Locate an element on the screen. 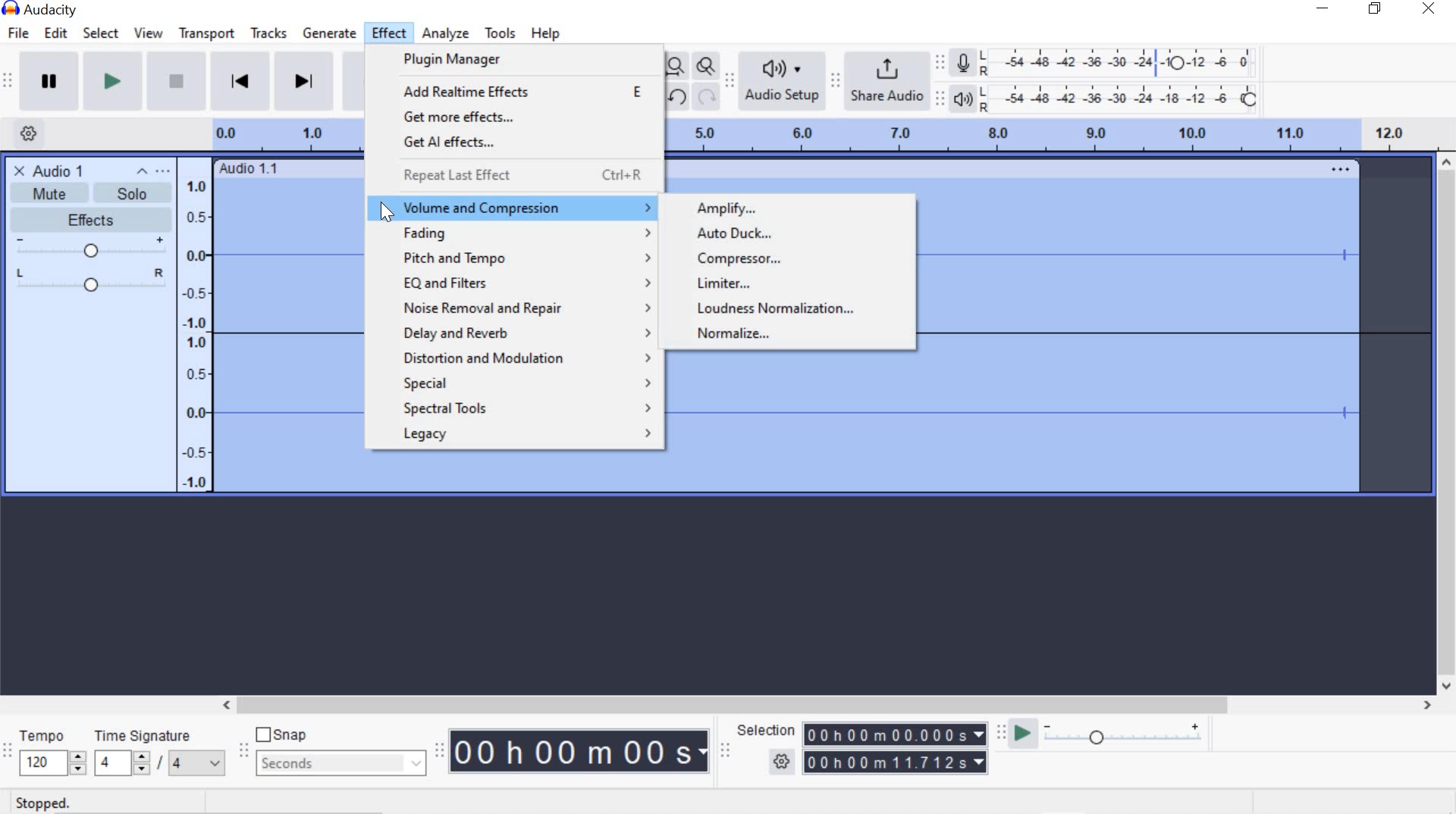  undo is located at coordinates (676, 96).